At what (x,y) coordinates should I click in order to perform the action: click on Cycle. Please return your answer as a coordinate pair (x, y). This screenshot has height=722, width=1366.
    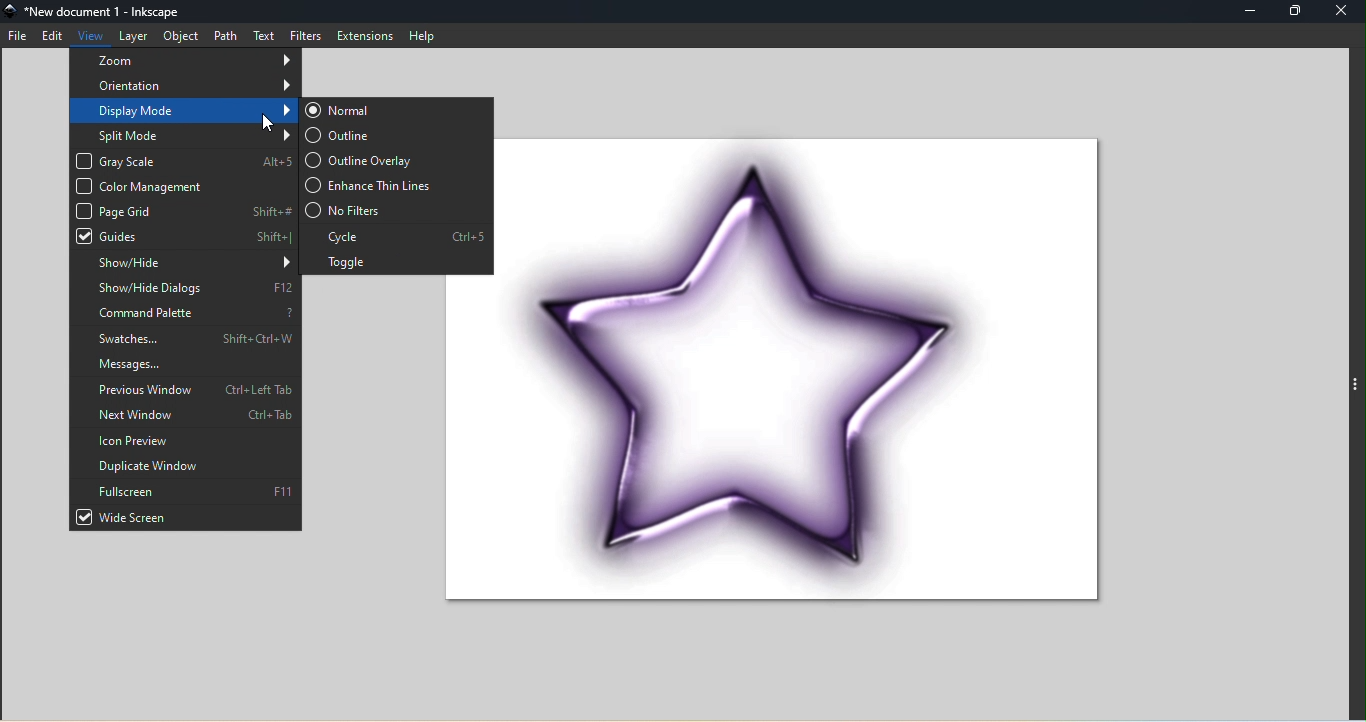
    Looking at the image, I should click on (396, 236).